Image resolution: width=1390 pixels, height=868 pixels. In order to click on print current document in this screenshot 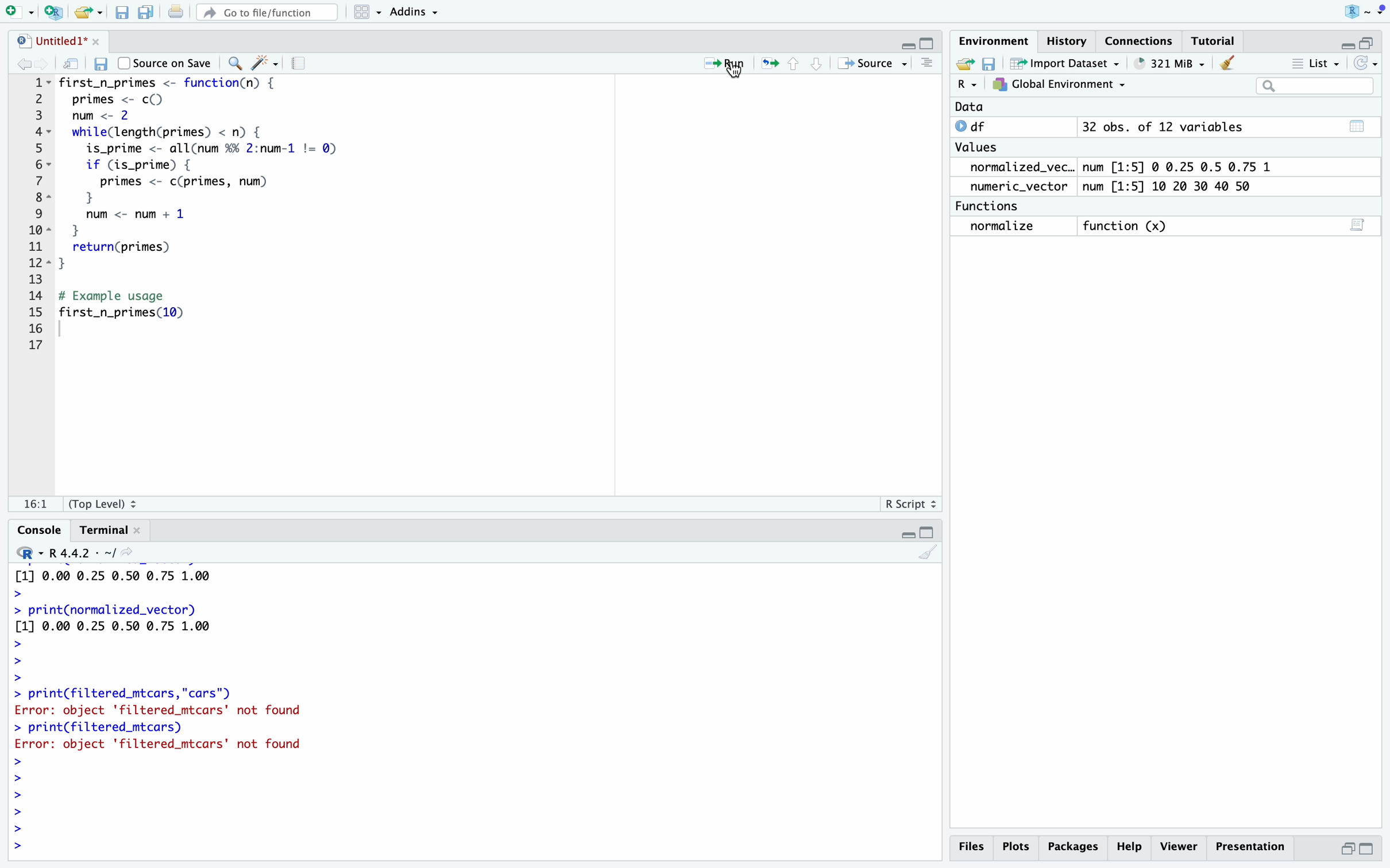, I will do `click(180, 14)`.